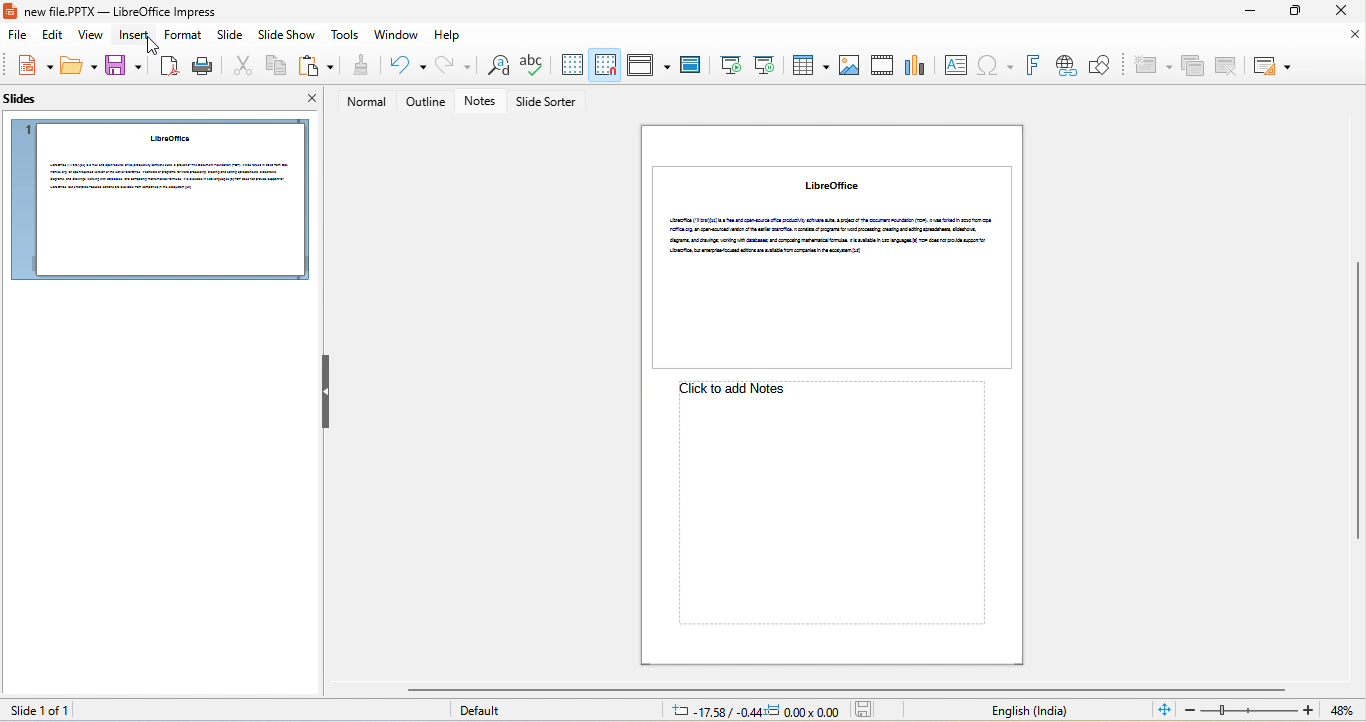 The width and height of the screenshot is (1366, 722). Describe the element at coordinates (347, 36) in the screenshot. I see `tools` at that location.